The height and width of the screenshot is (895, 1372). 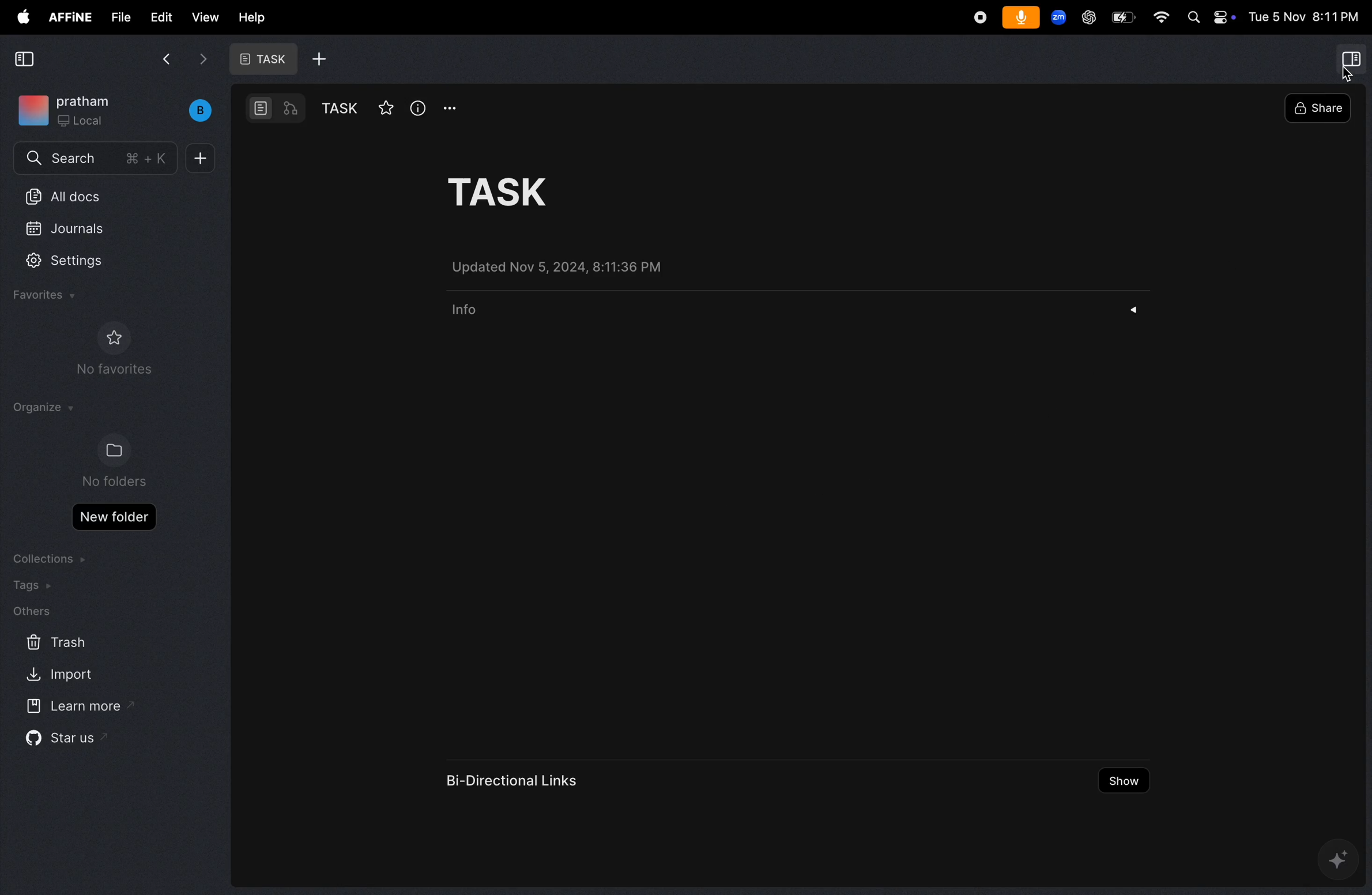 What do you see at coordinates (119, 354) in the screenshot?
I see `no favourites` at bounding box center [119, 354].